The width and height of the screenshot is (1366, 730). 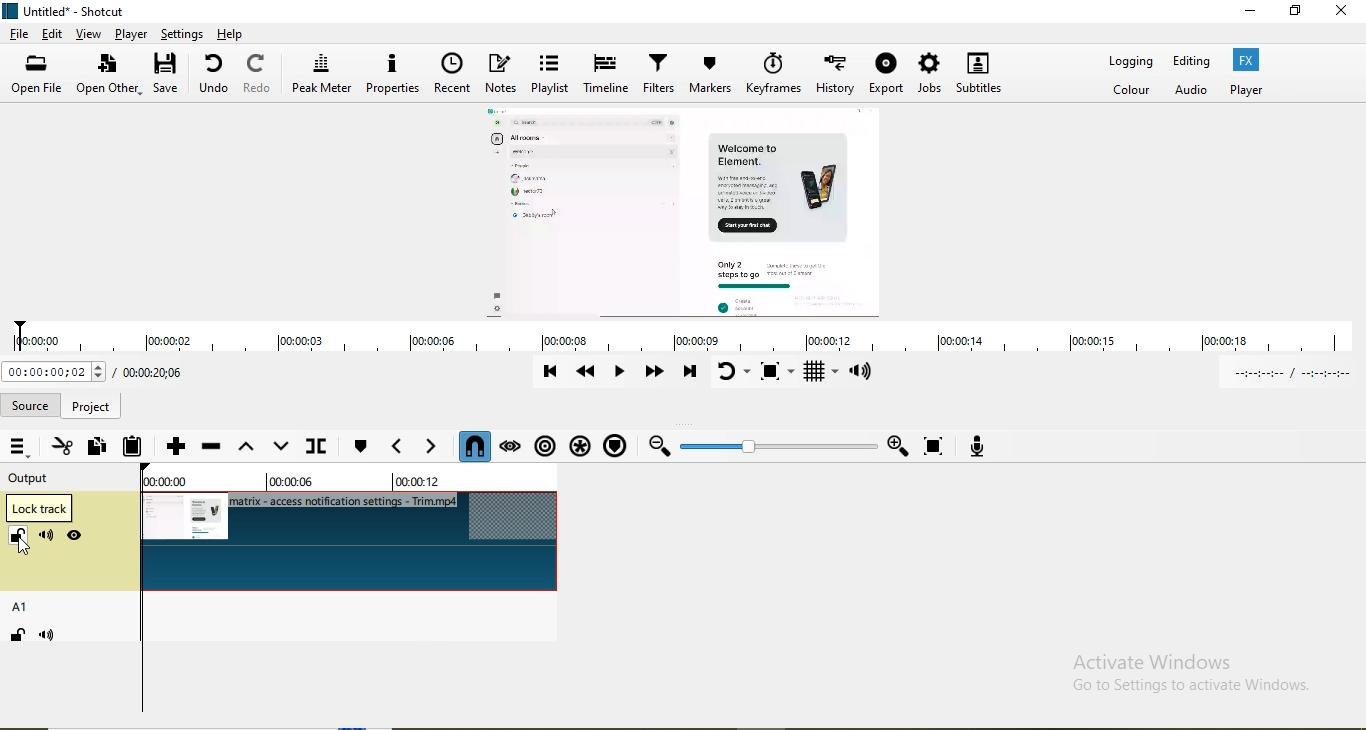 I want to click on Minimise, so click(x=1246, y=12).